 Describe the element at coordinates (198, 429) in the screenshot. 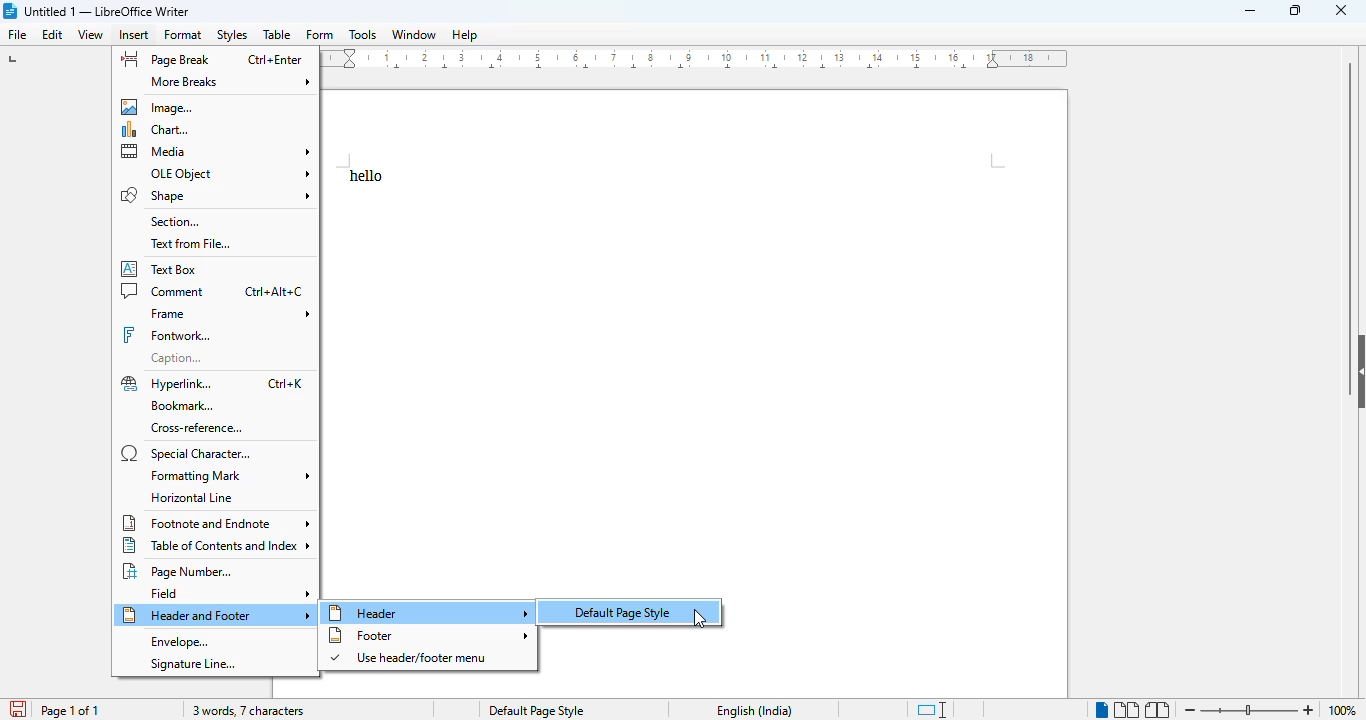

I see `cross-reference` at that location.